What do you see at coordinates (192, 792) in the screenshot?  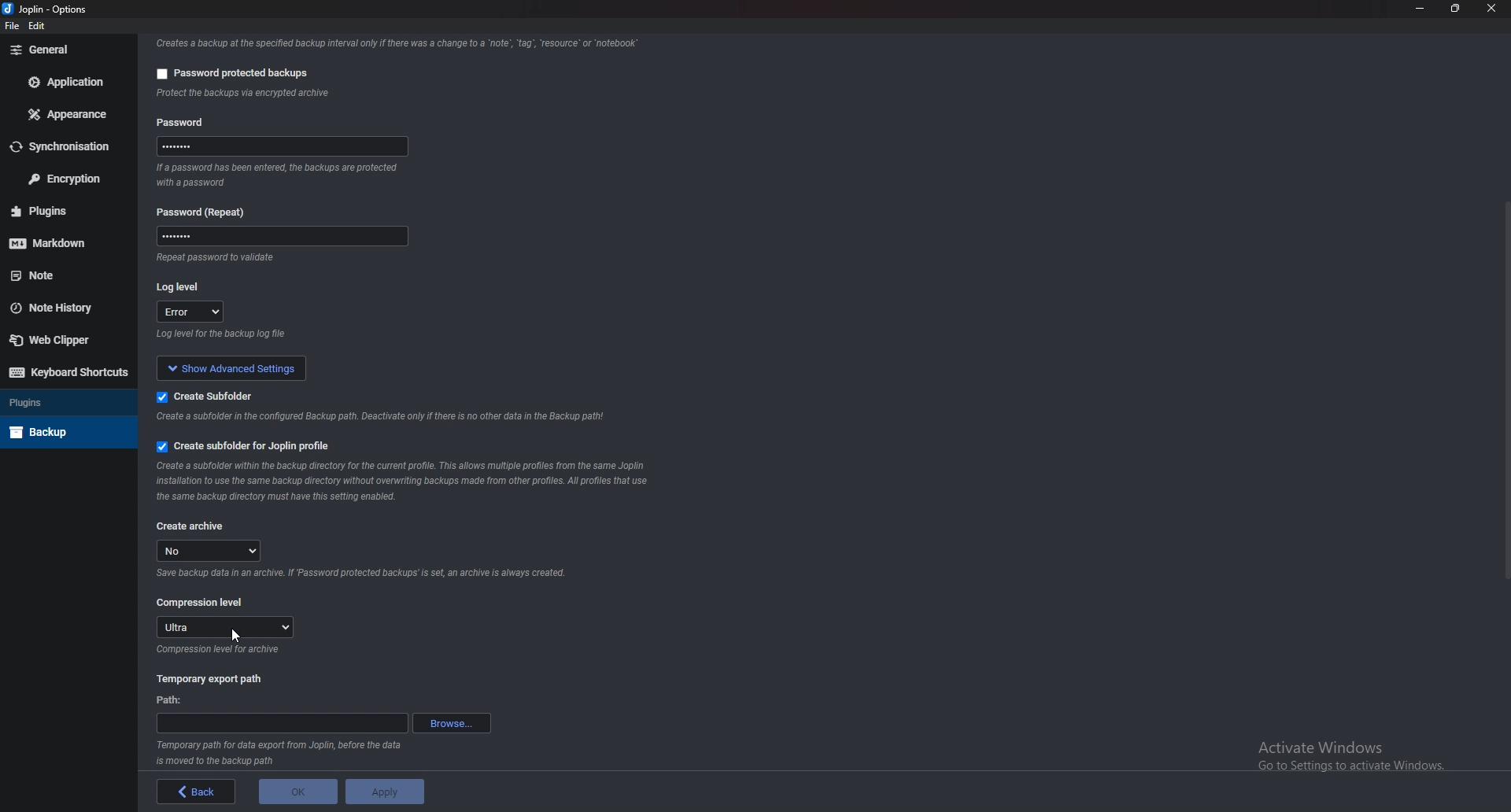 I see `back` at bounding box center [192, 792].